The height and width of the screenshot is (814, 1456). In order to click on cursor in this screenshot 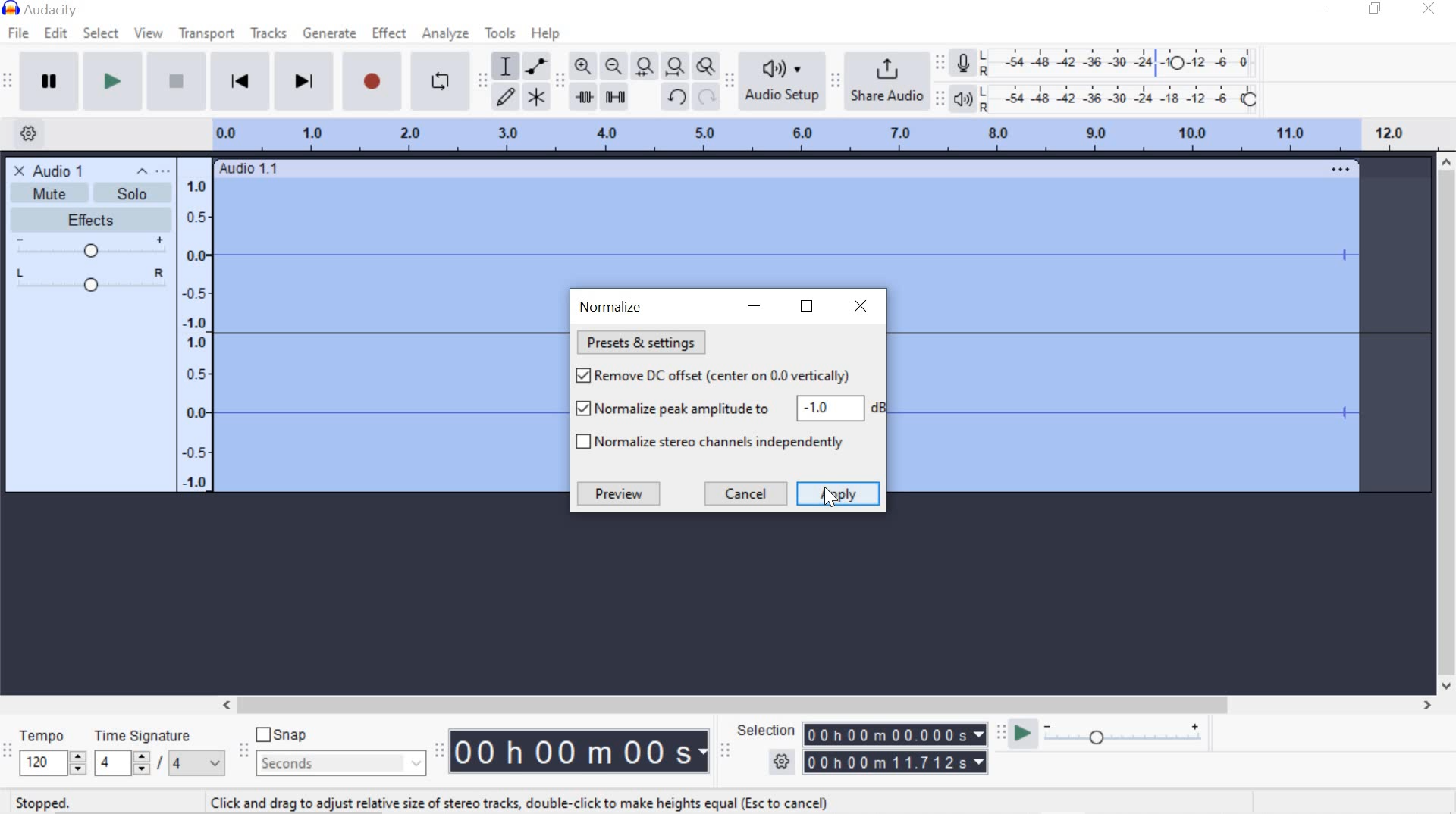, I will do `click(833, 502)`.